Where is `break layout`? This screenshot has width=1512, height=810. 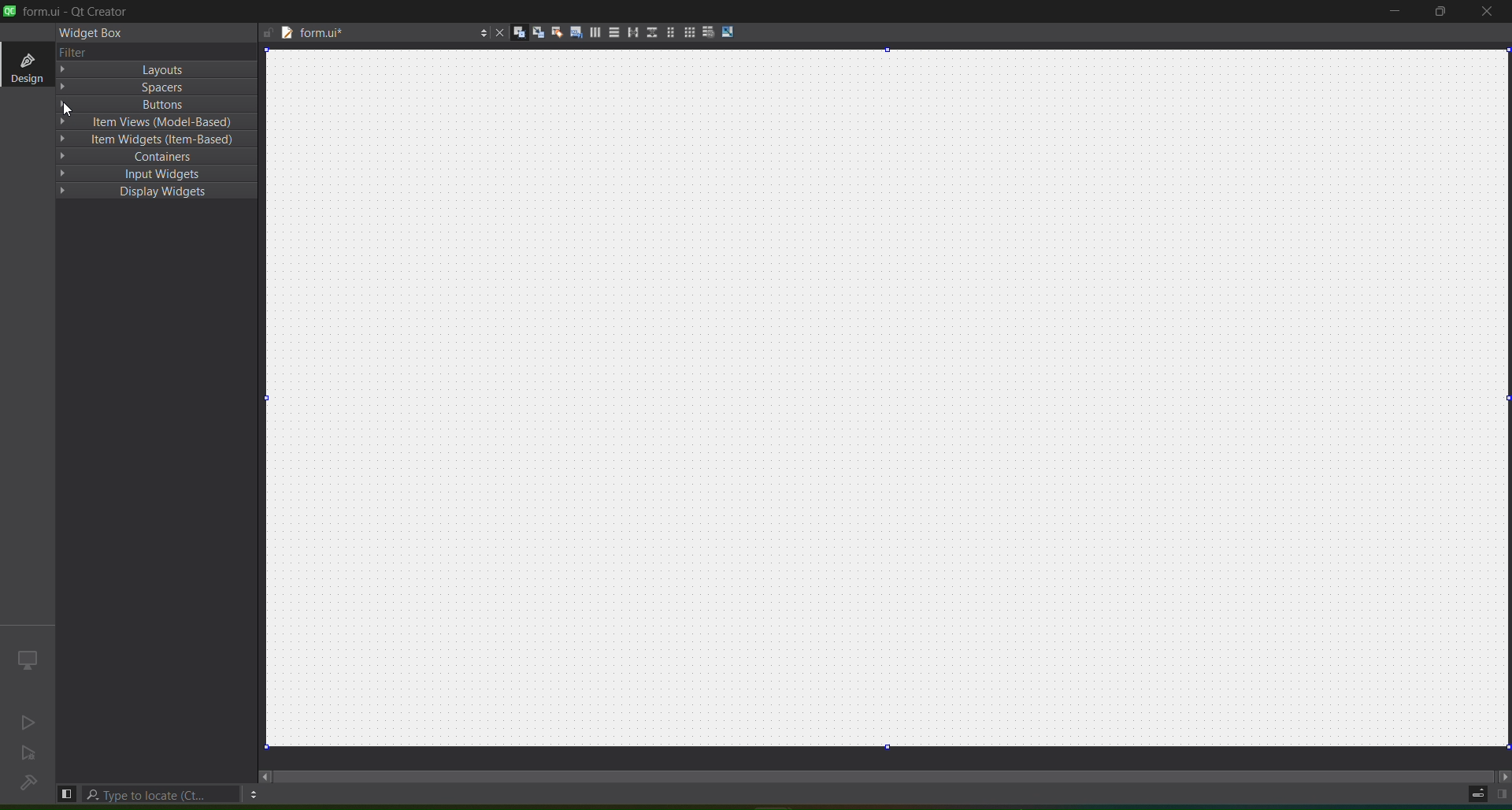 break layout is located at coordinates (708, 30).